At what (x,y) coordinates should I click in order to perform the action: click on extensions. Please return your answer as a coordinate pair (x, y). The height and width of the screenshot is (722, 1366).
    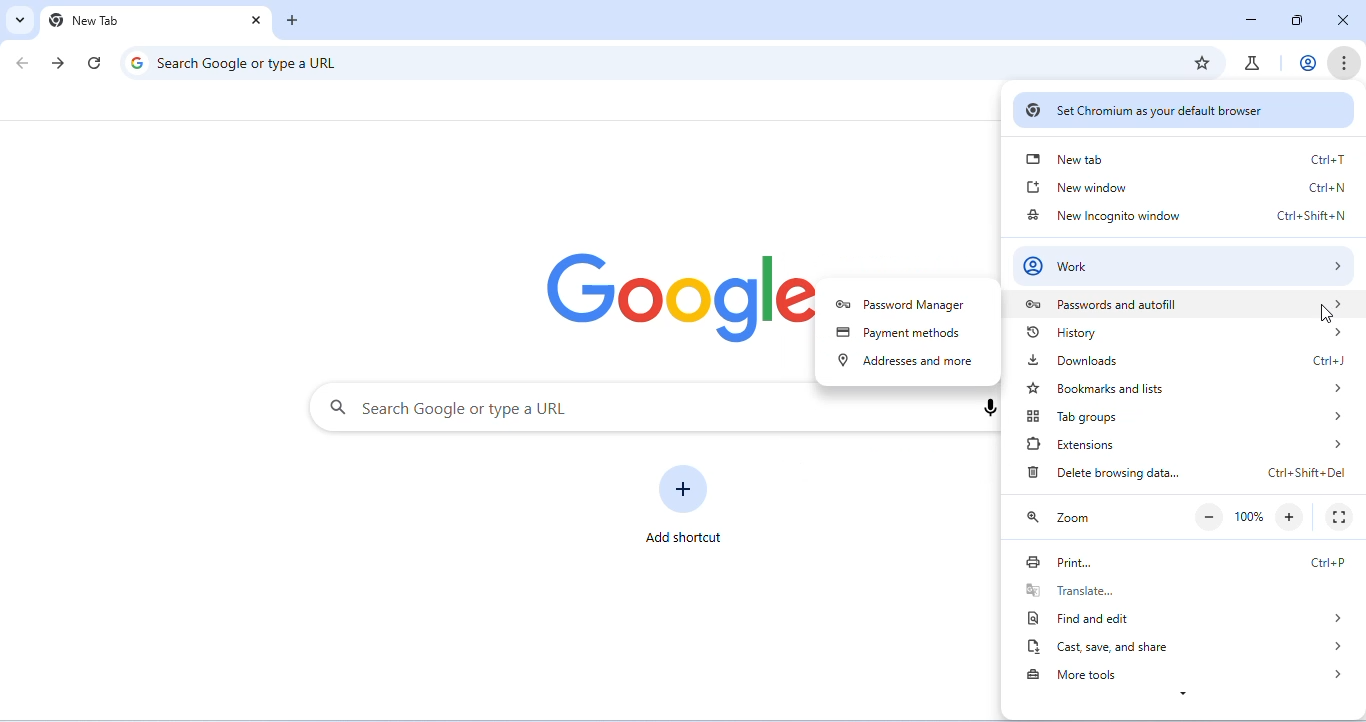
    Looking at the image, I should click on (1182, 444).